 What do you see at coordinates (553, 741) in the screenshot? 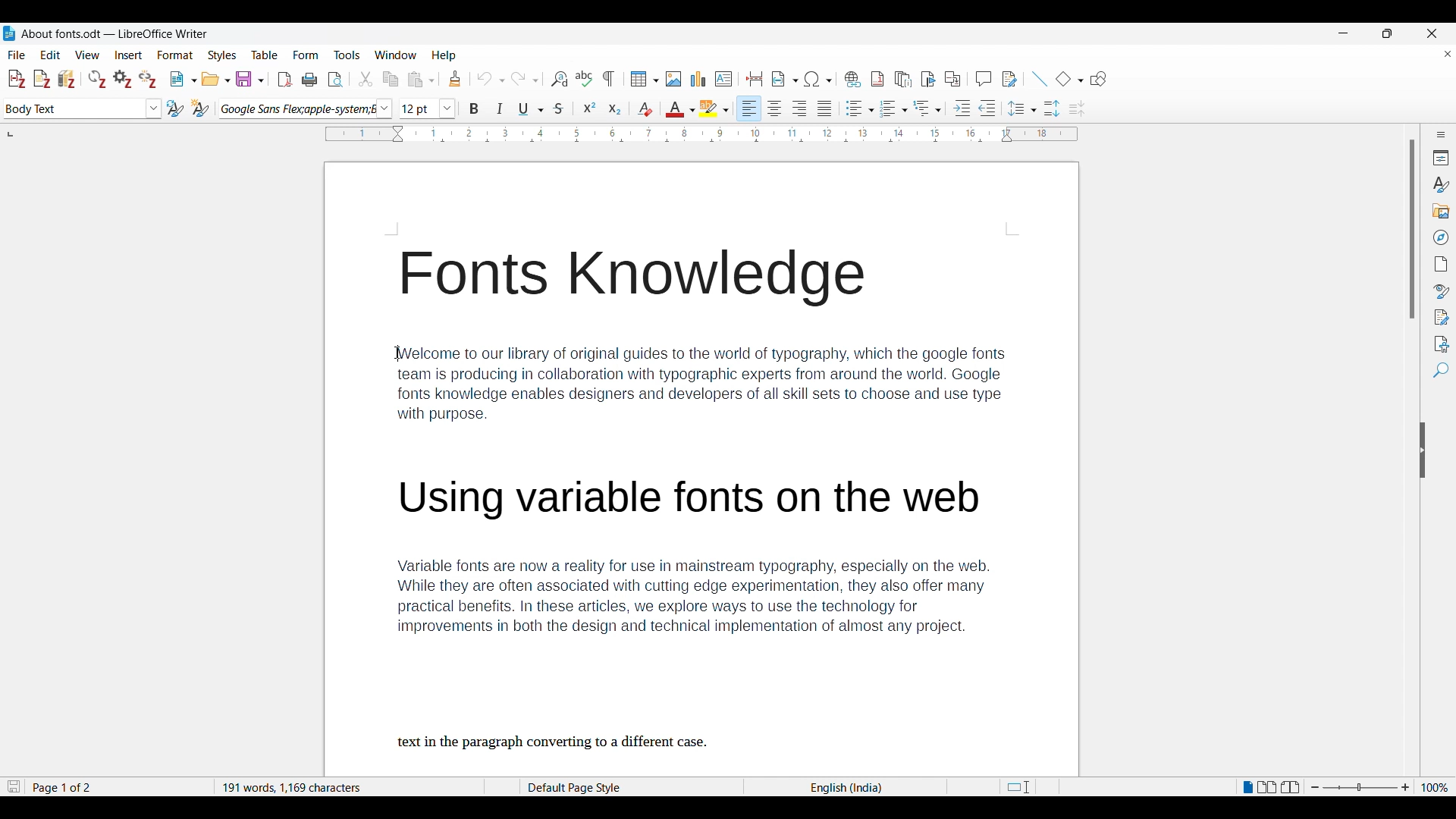
I see `text in the paragraph converting to a different case.` at bounding box center [553, 741].